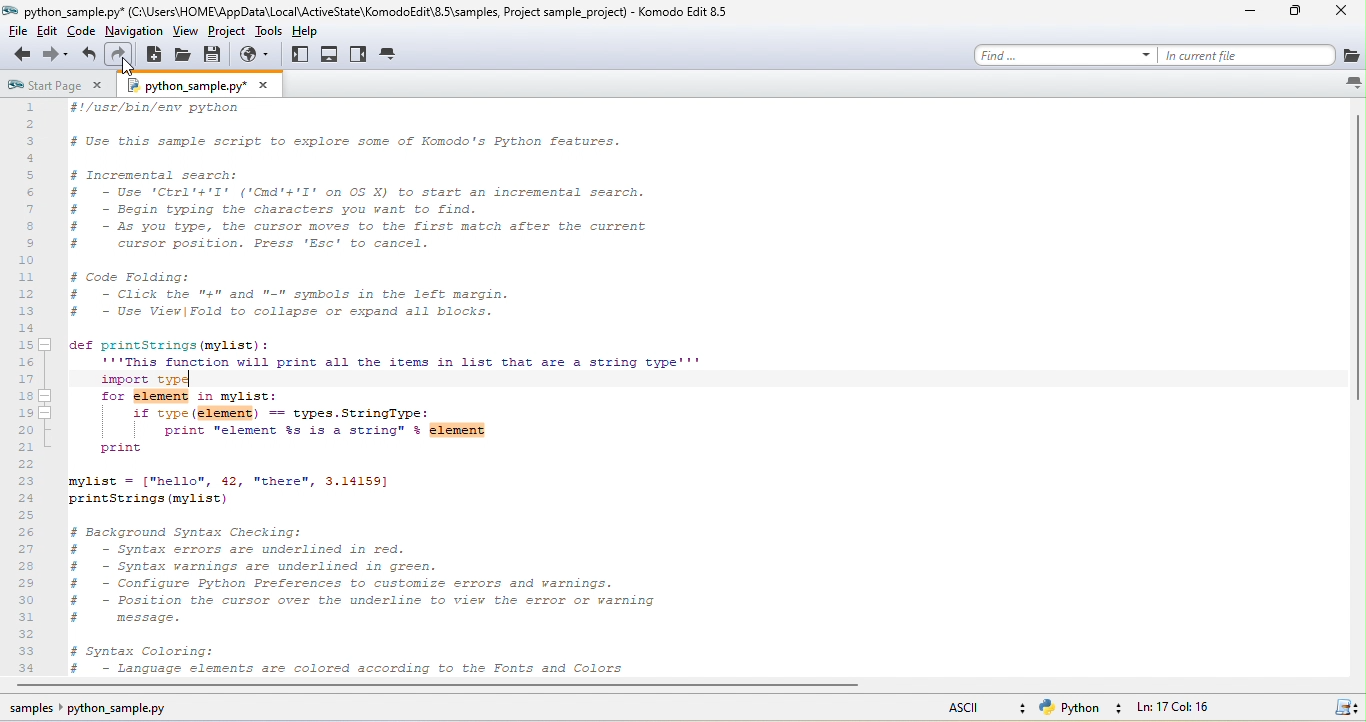 The width and height of the screenshot is (1366, 722). I want to click on preview buffer, so click(255, 55).